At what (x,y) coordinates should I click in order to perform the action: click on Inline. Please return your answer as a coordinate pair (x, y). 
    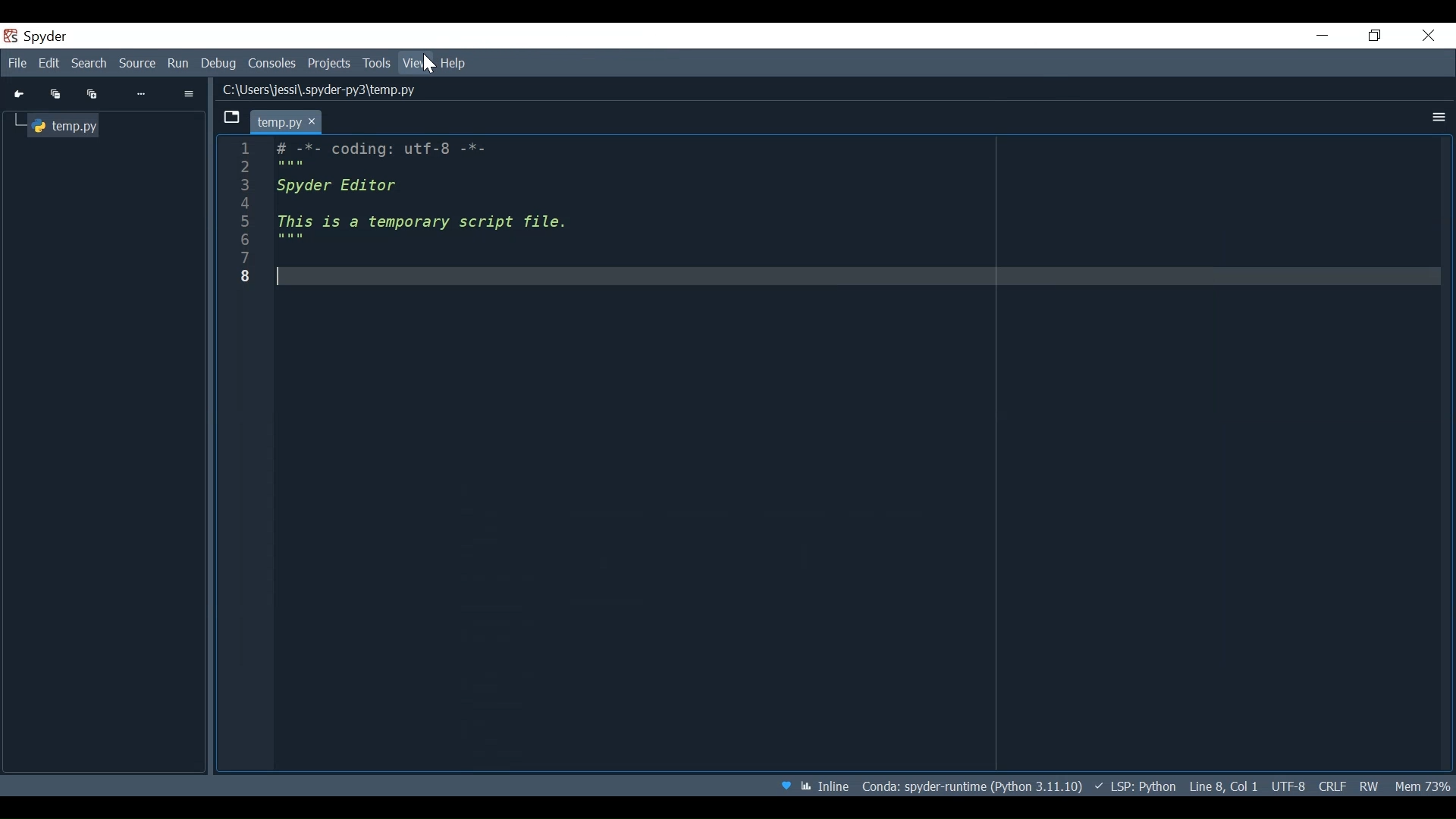
    Looking at the image, I should click on (827, 787).